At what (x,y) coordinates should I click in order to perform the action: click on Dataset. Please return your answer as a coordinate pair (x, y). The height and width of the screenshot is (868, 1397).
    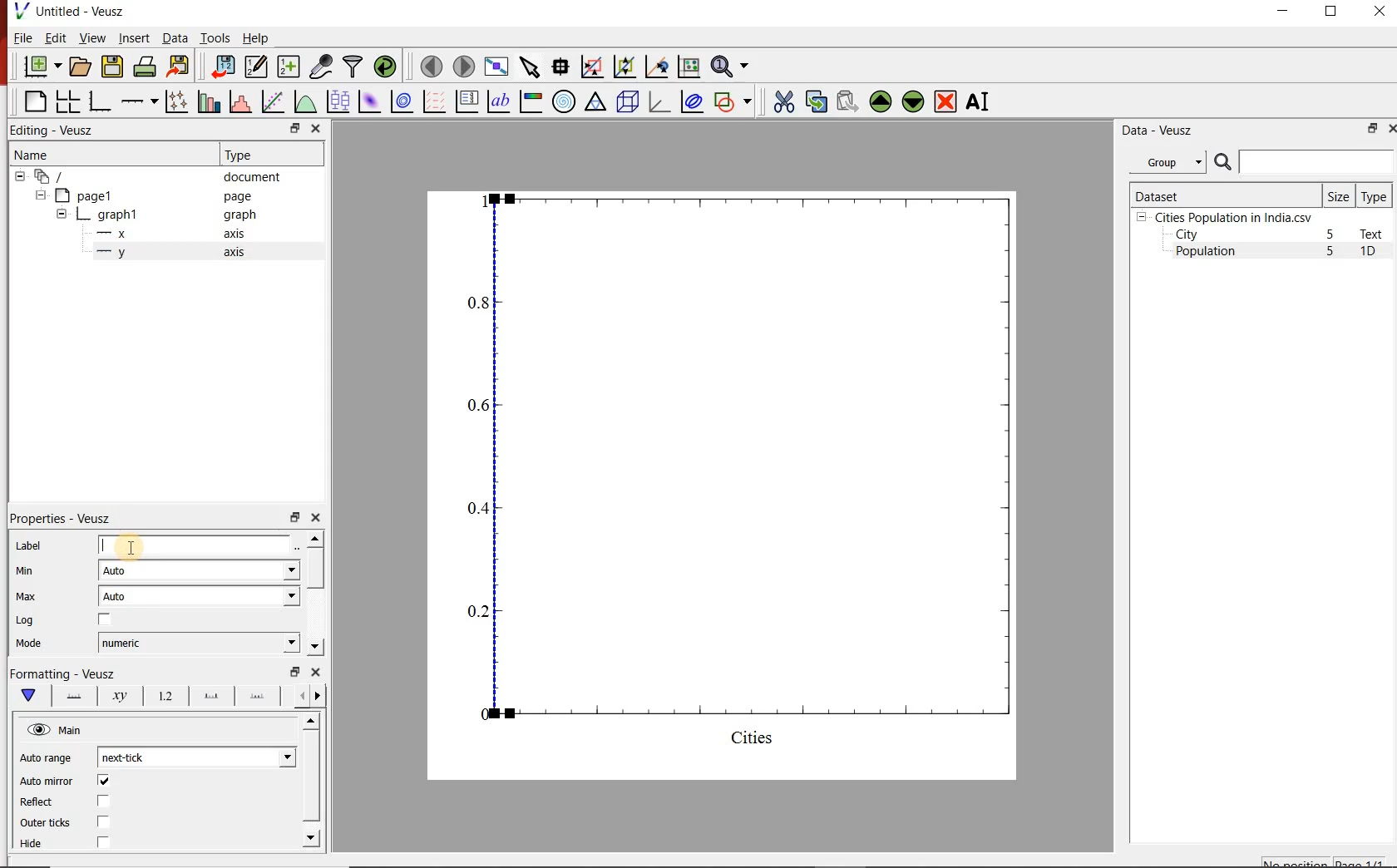
    Looking at the image, I should click on (1223, 195).